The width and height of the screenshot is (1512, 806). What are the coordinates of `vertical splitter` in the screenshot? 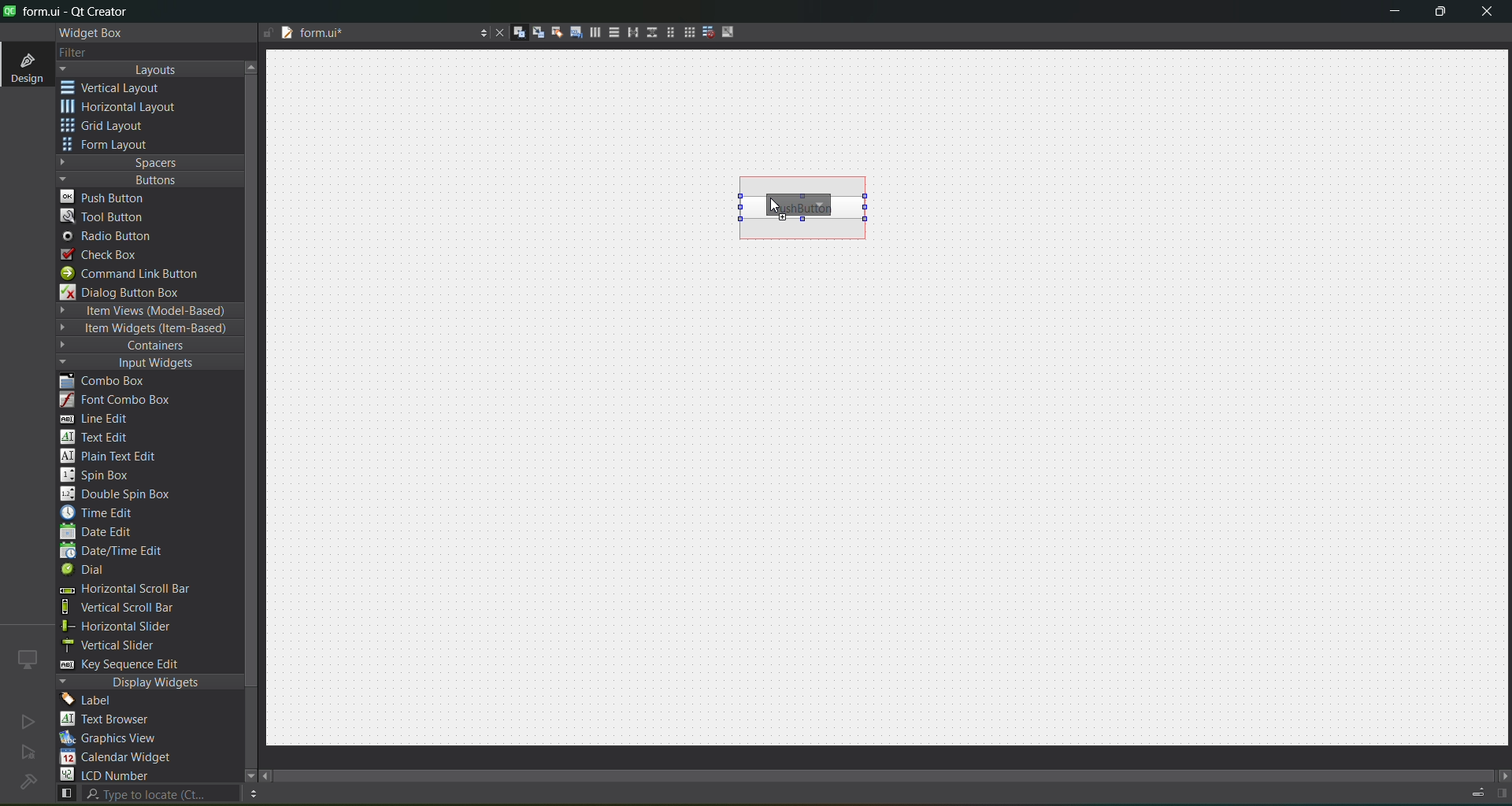 It's located at (650, 35).